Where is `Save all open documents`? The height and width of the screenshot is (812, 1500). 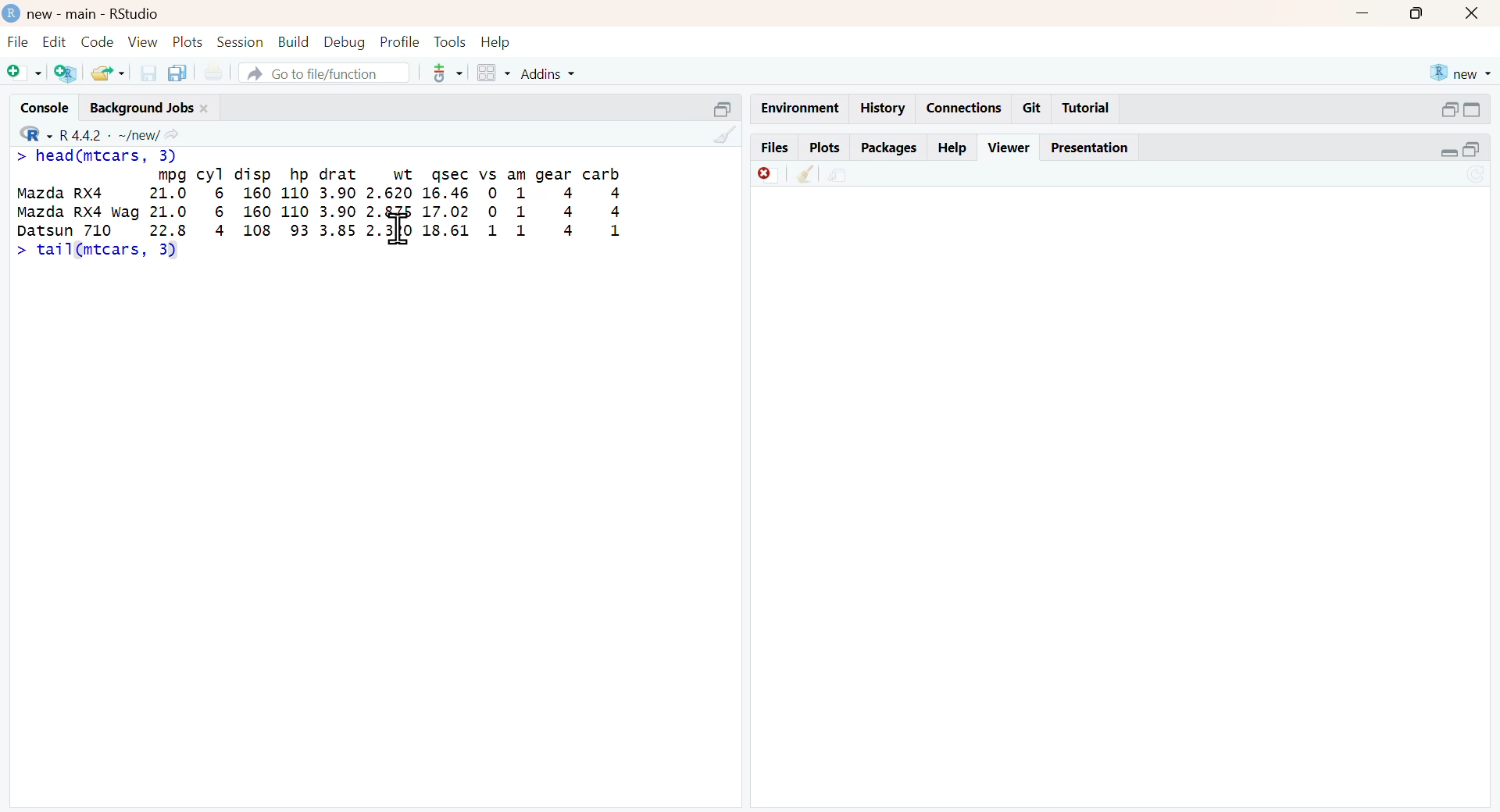 Save all open documents is located at coordinates (177, 73).